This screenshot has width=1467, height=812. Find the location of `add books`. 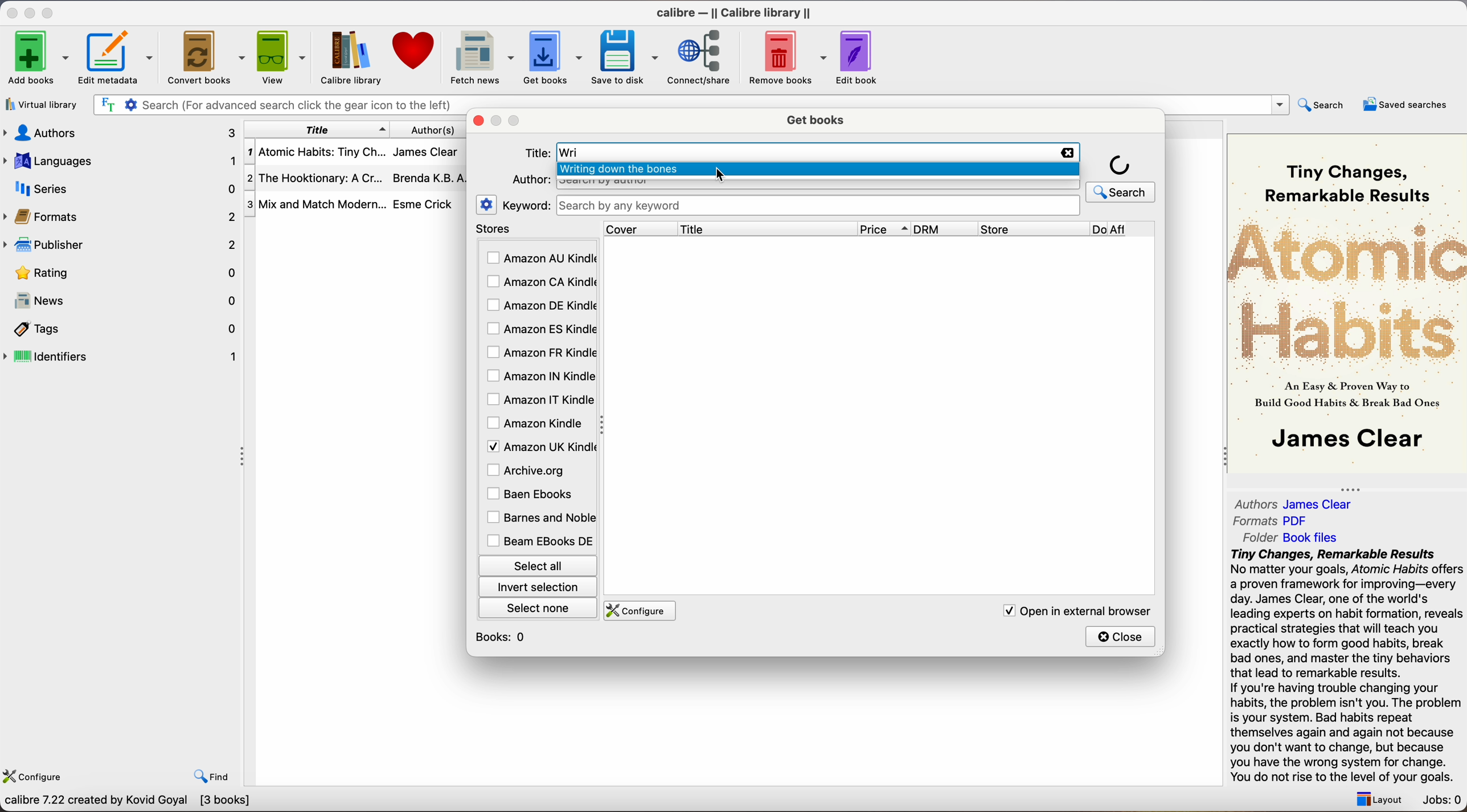

add books is located at coordinates (38, 59).